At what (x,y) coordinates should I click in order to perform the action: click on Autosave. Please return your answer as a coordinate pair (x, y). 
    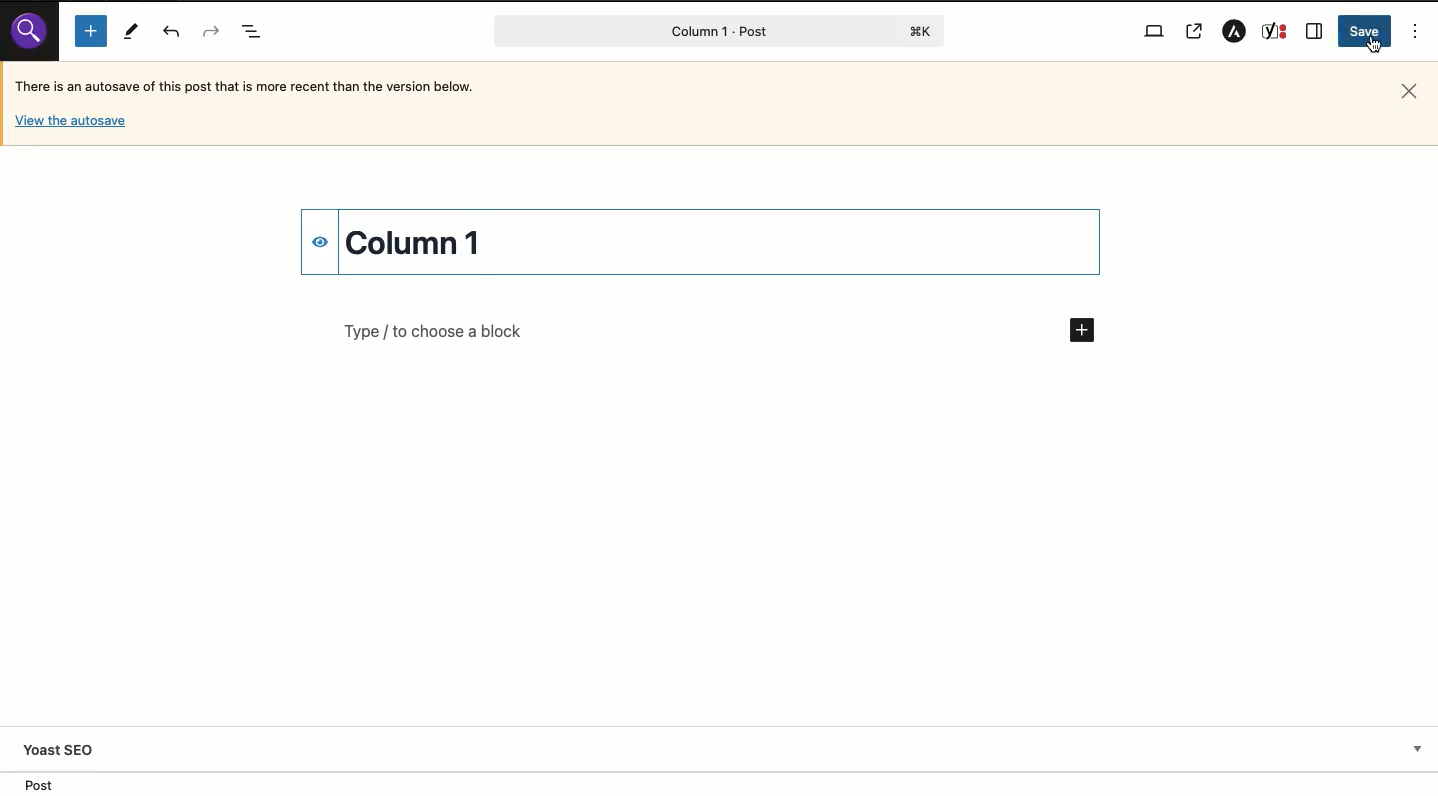
    Looking at the image, I should click on (269, 85).